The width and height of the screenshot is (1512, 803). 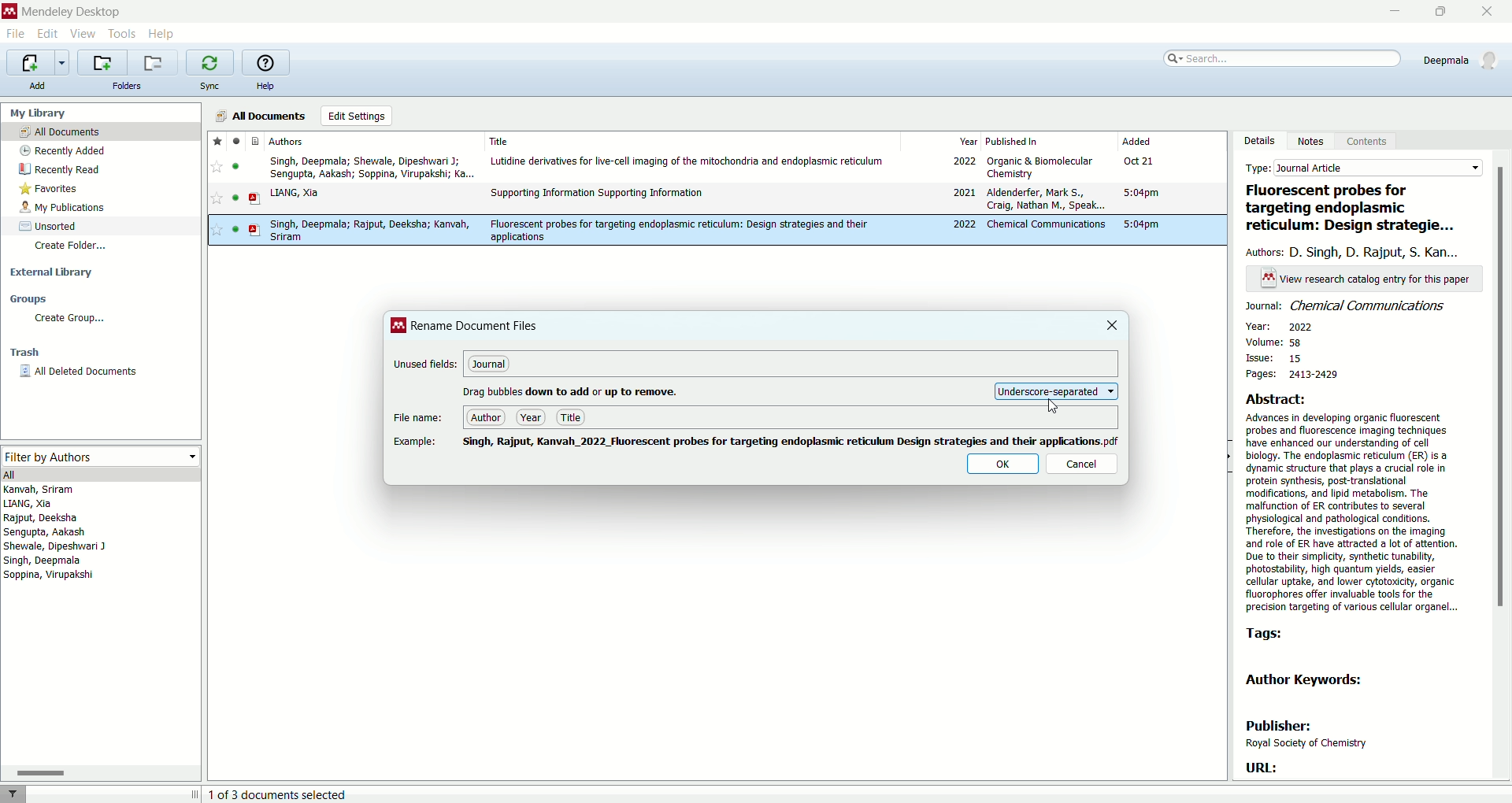 What do you see at coordinates (1048, 140) in the screenshot?
I see `published in` at bounding box center [1048, 140].